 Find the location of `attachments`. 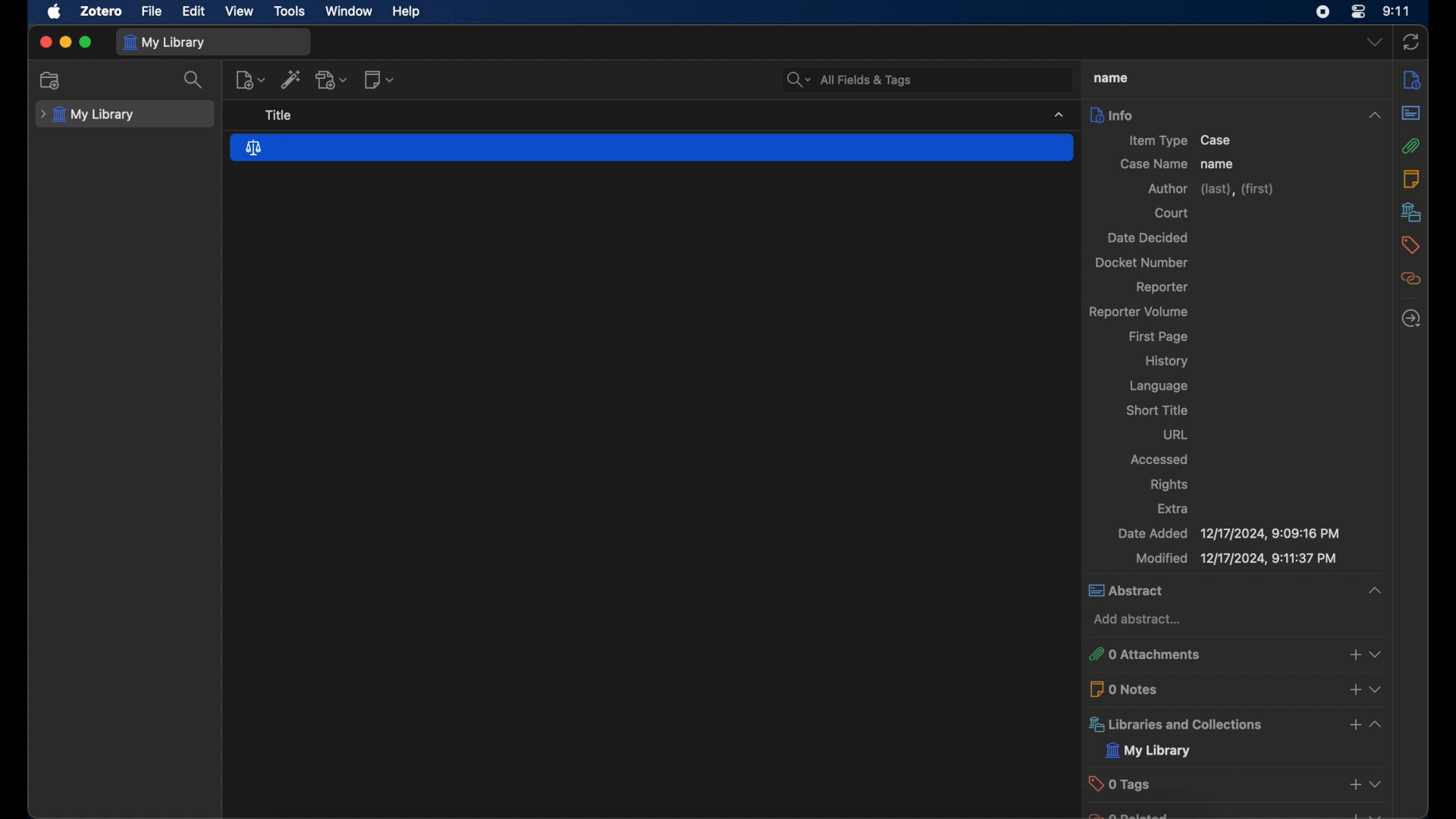

attachments is located at coordinates (1410, 146).